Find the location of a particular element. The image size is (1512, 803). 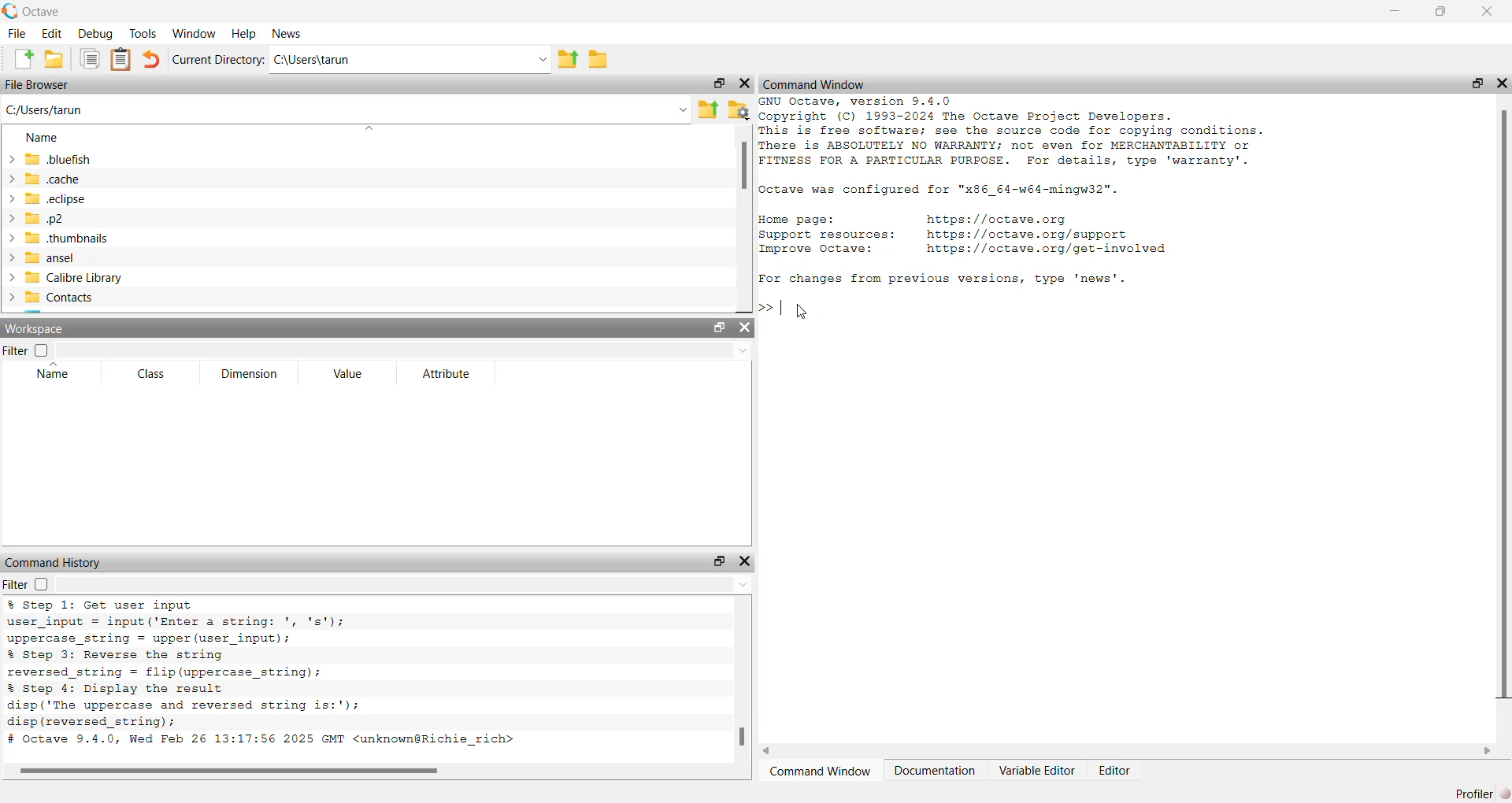

unlock widget is located at coordinates (717, 326).